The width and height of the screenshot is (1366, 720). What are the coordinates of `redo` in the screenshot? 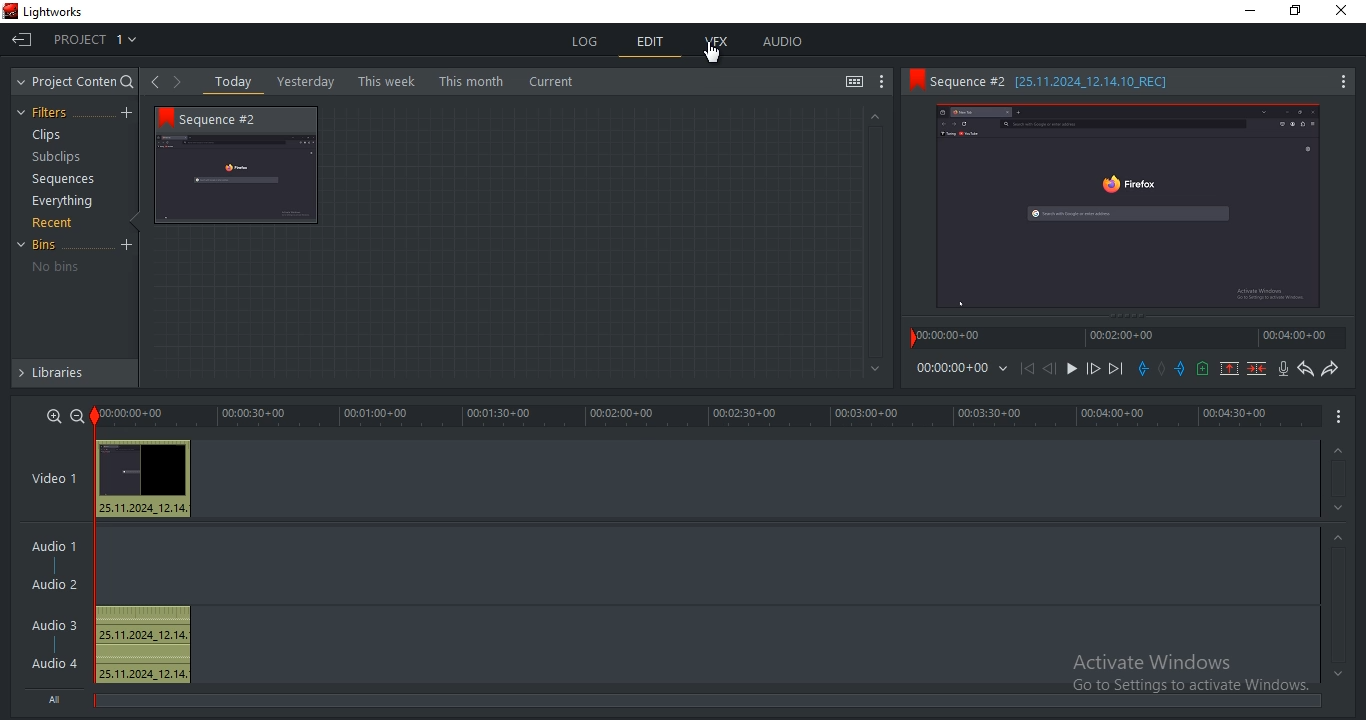 It's located at (1332, 367).